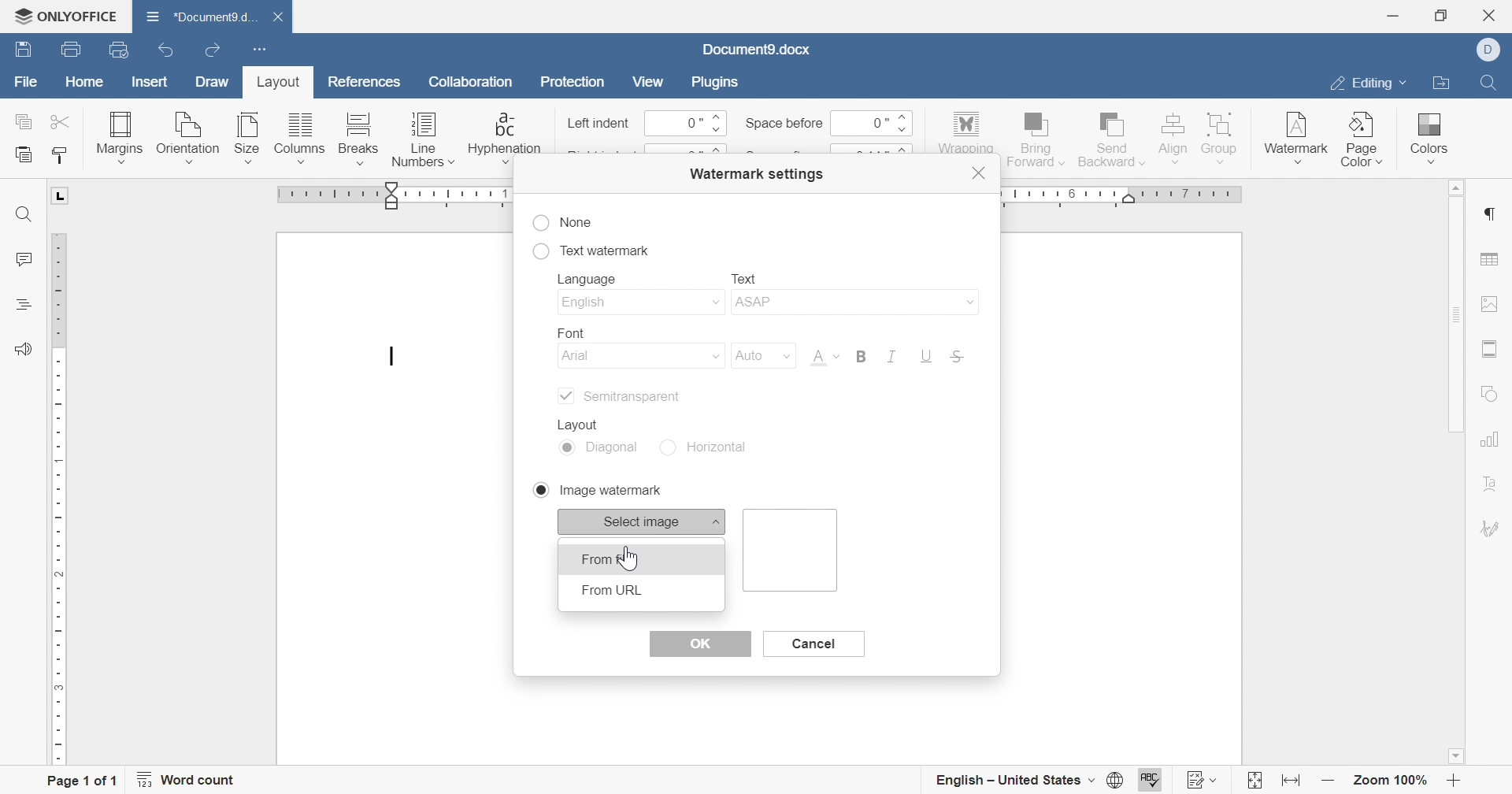  What do you see at coordinates (758, 355) in the screenshot?
I see `auto` at bounding box center [758, 355].